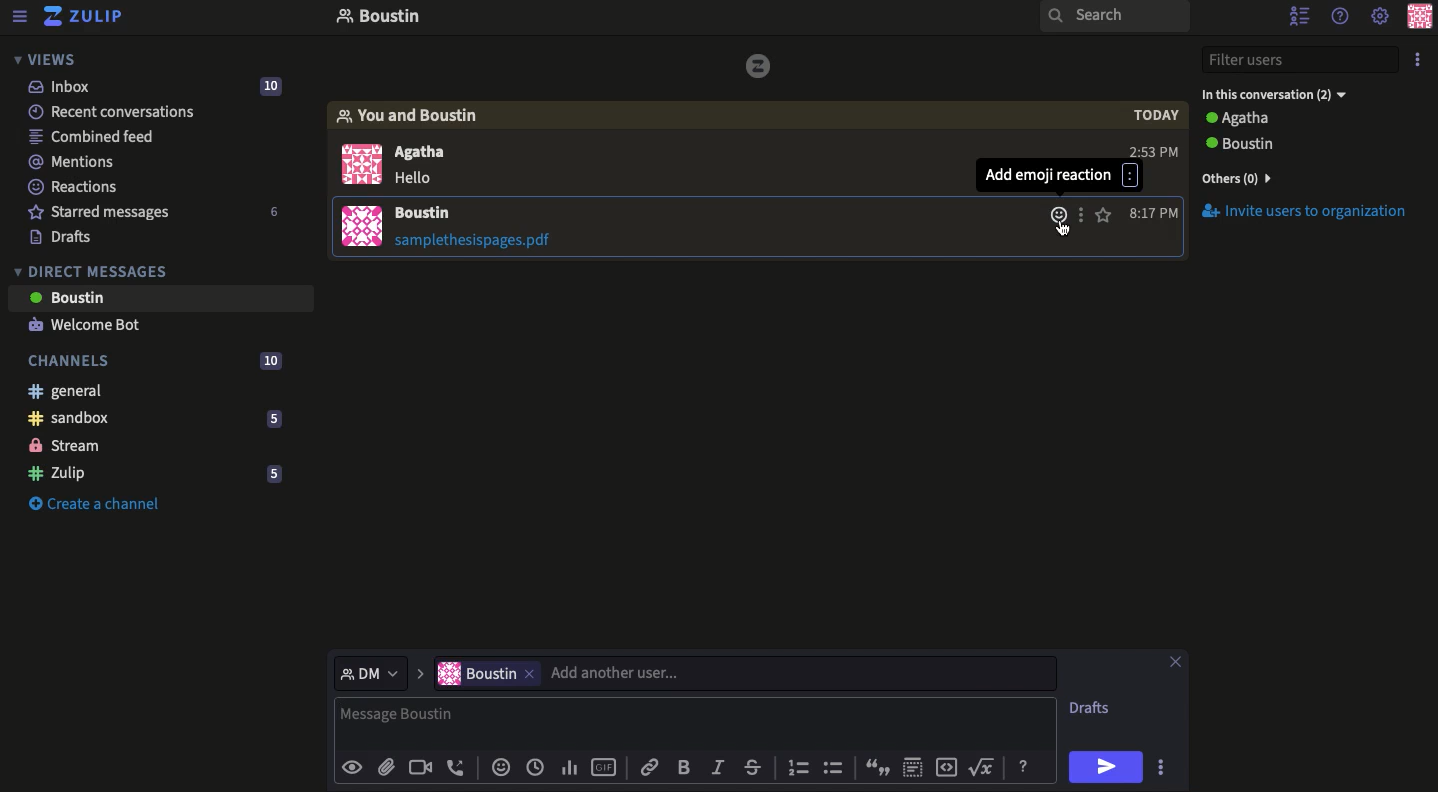  Describe the element at coordinates (59, 238) in the screenshot. I see `Drafts` at that location.